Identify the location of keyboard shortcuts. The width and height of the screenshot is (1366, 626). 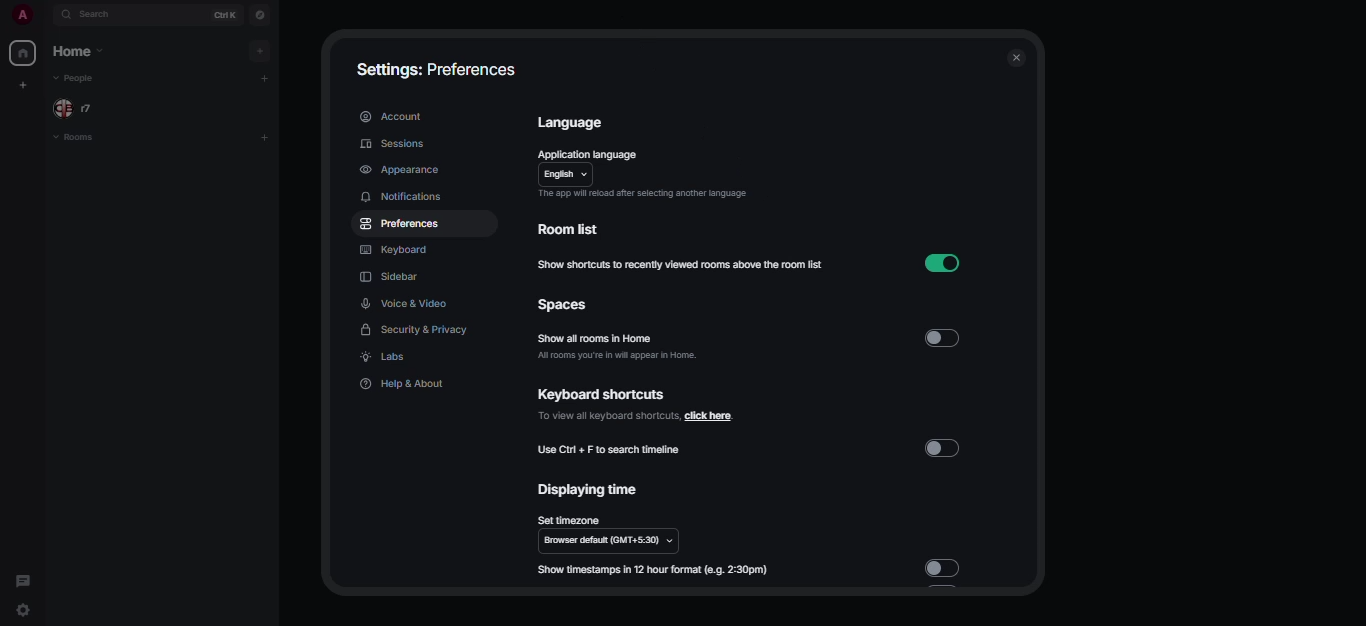
(600, 395).